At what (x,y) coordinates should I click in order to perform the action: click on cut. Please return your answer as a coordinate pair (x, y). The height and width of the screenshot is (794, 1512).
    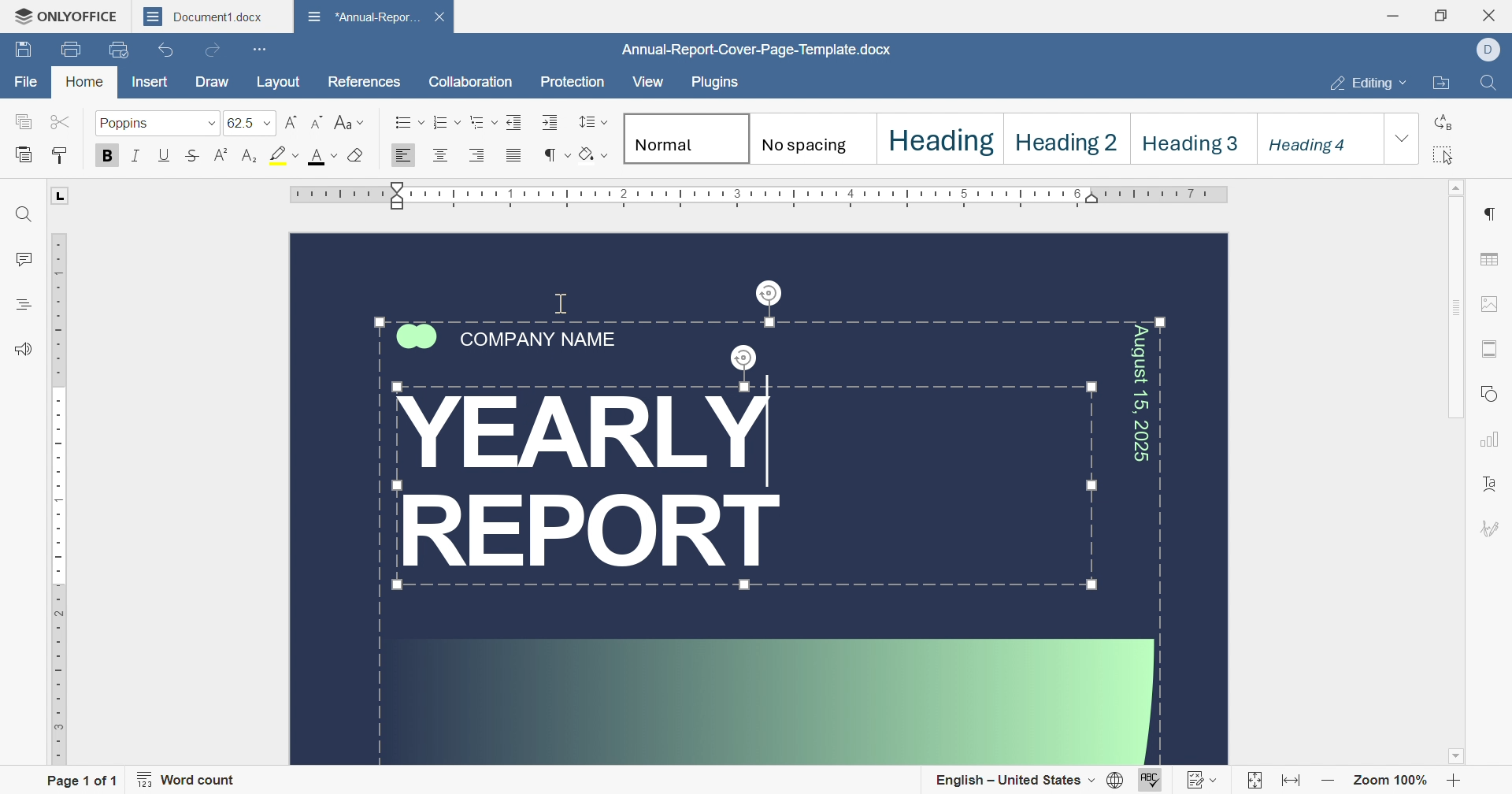
    Looking at the image, I should click on (62, 123).